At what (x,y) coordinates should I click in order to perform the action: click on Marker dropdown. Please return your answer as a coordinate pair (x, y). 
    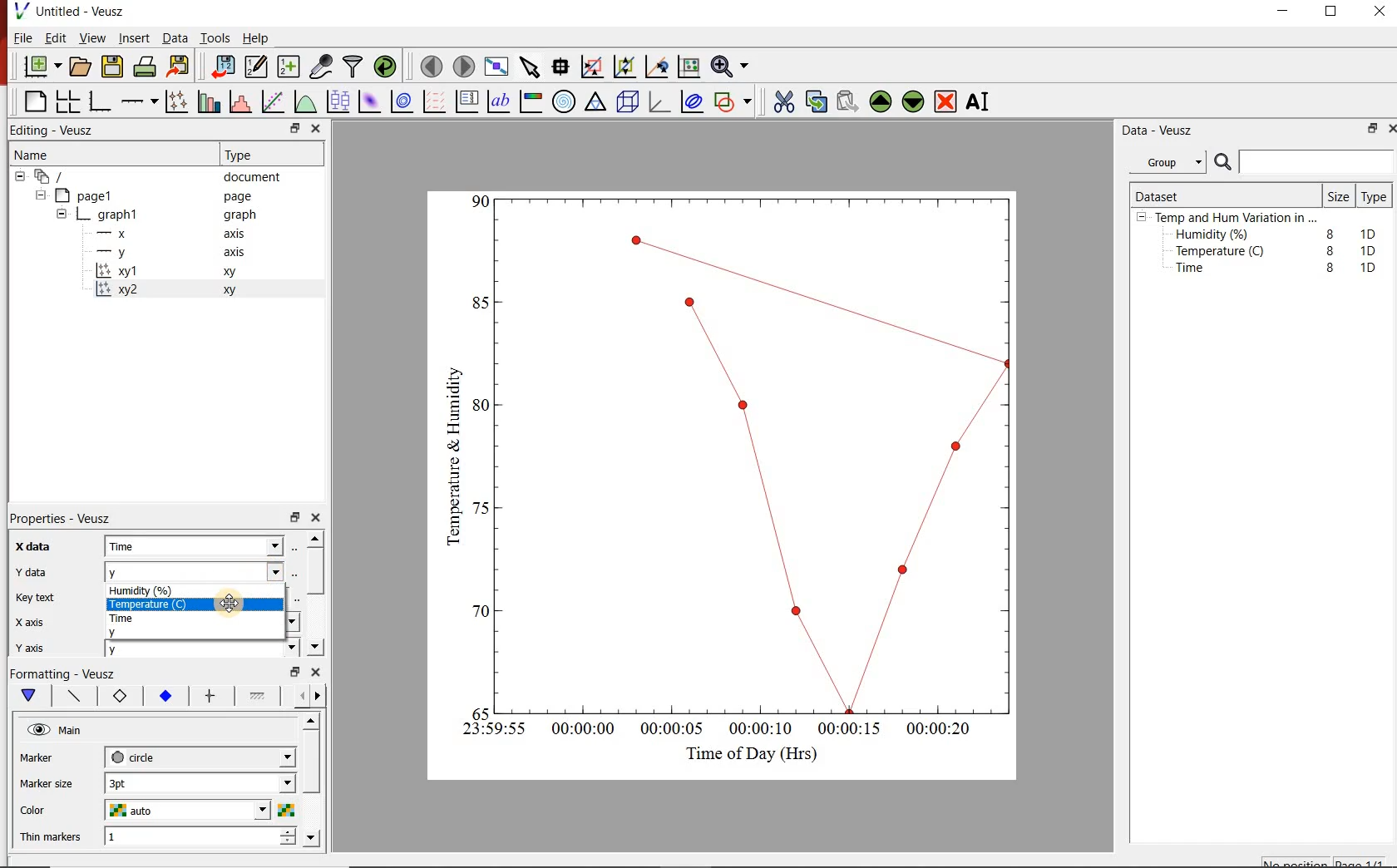
    Looking at the image, I should click on (262, 757).